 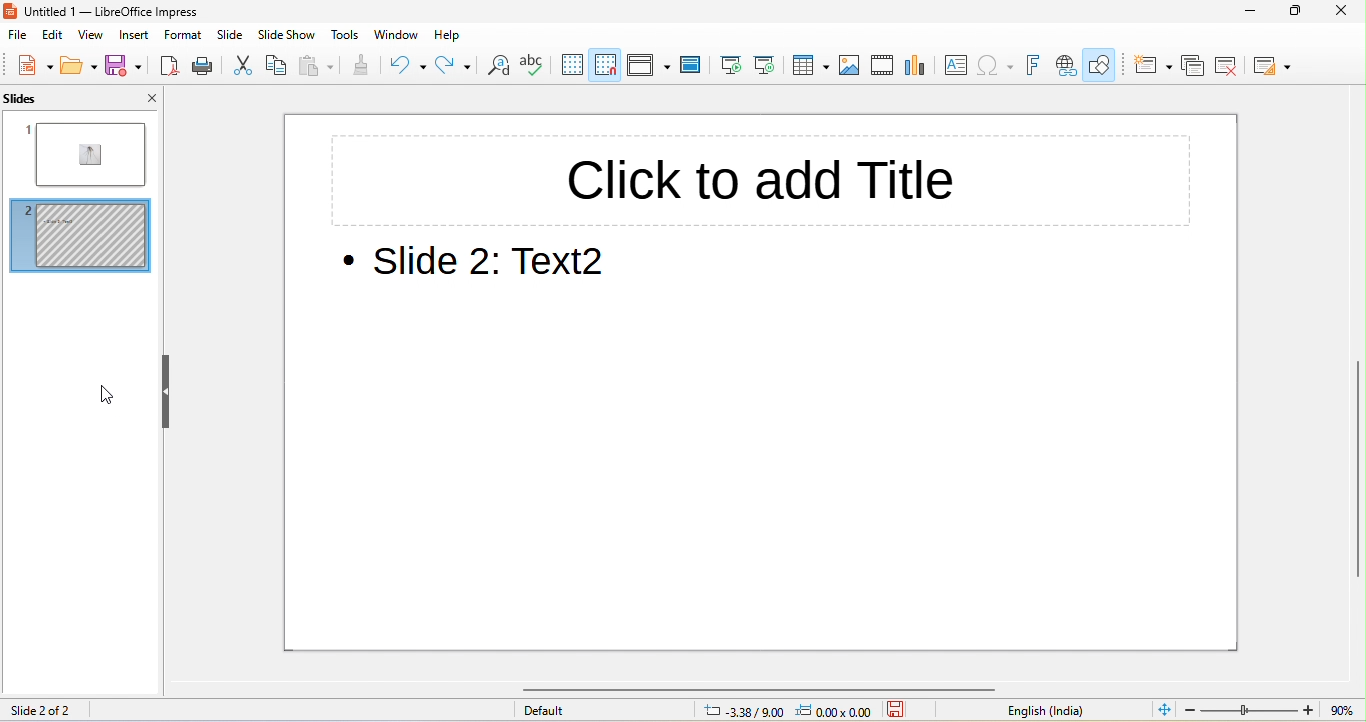 I want to click on print, so click(x=207, y=67).